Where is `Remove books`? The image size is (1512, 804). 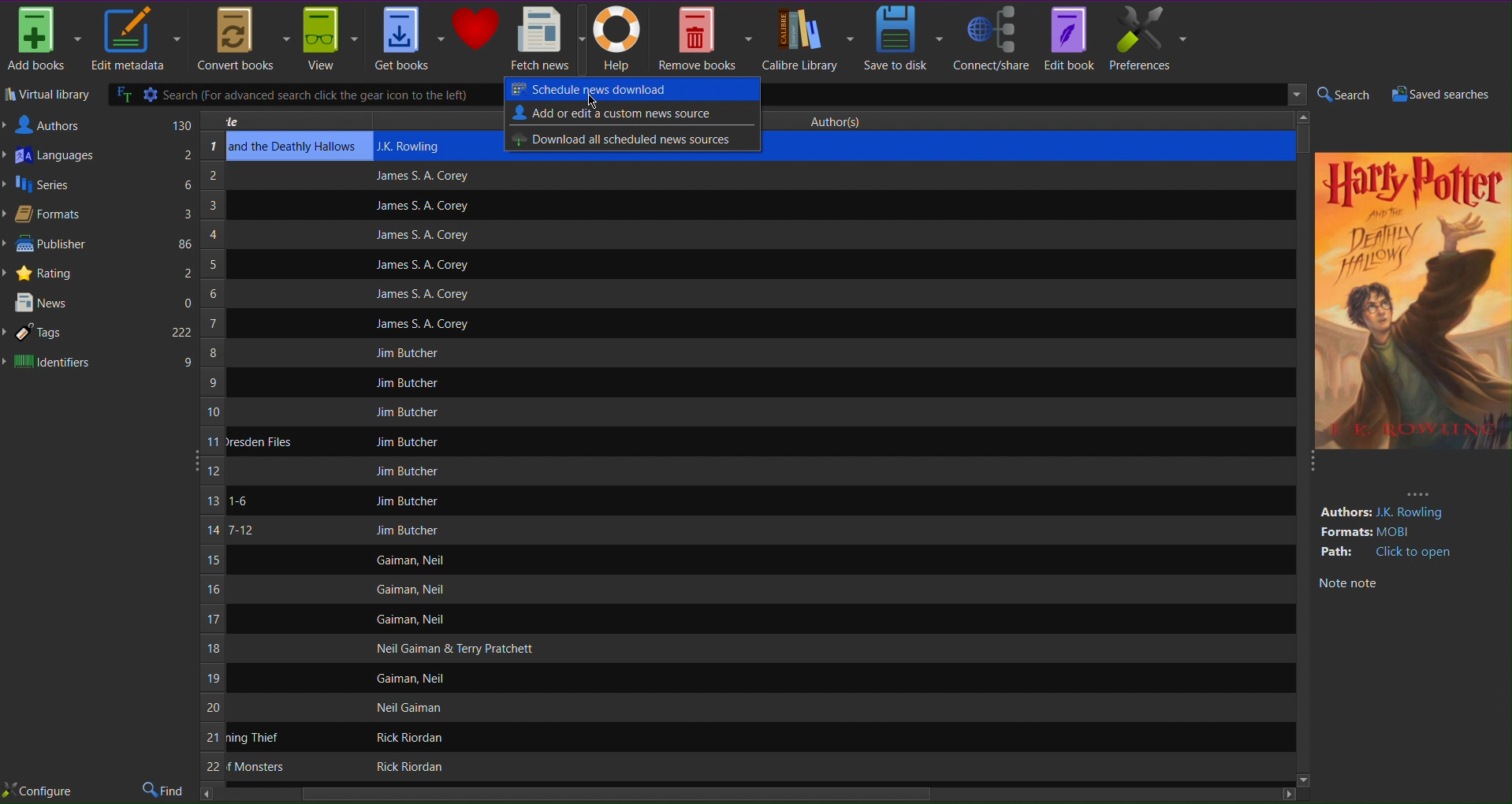 Remove books is located at coordinates (706, 37).